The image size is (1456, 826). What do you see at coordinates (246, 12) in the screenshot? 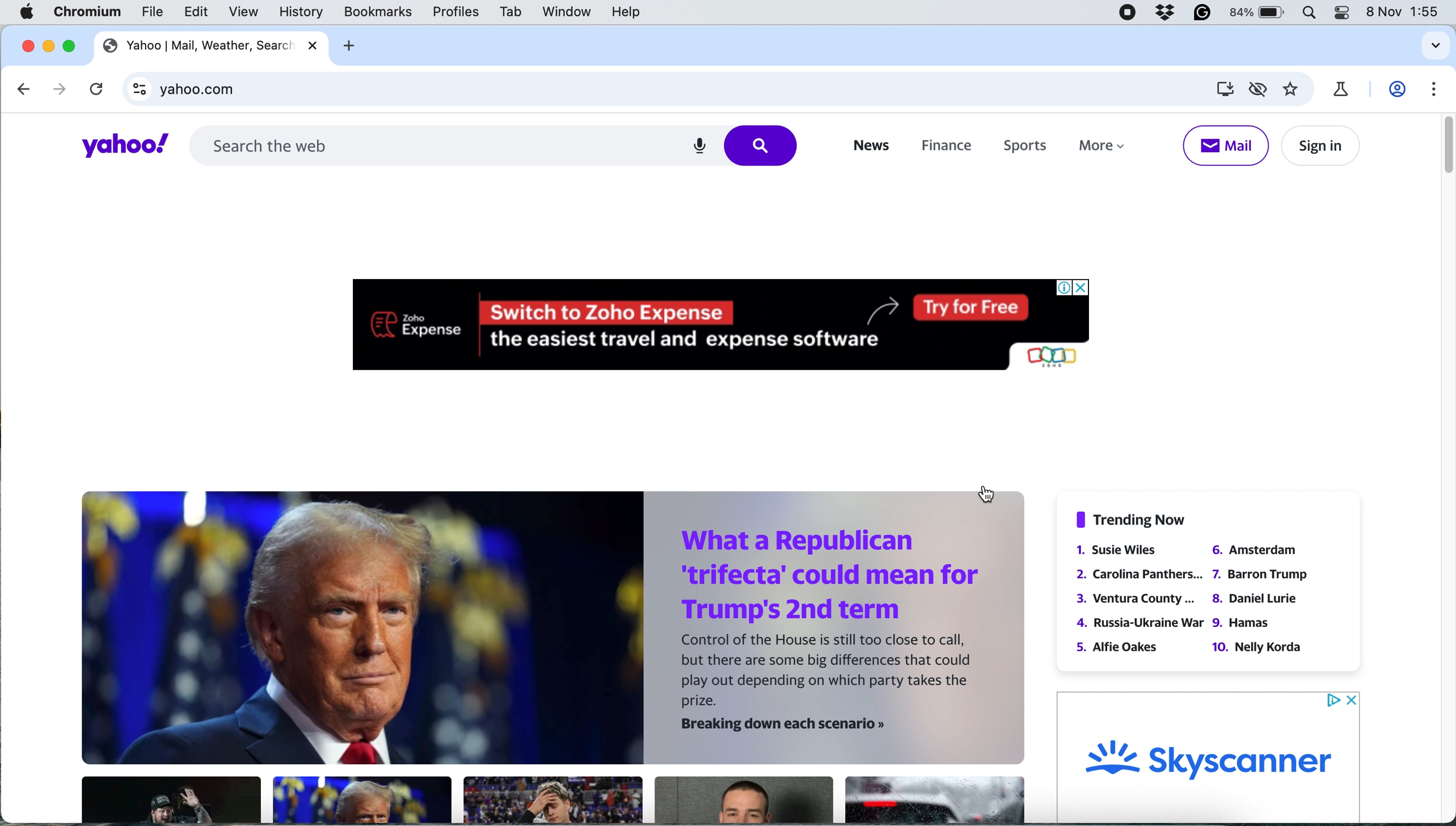
I see `view` at bounding box center [246, 12].